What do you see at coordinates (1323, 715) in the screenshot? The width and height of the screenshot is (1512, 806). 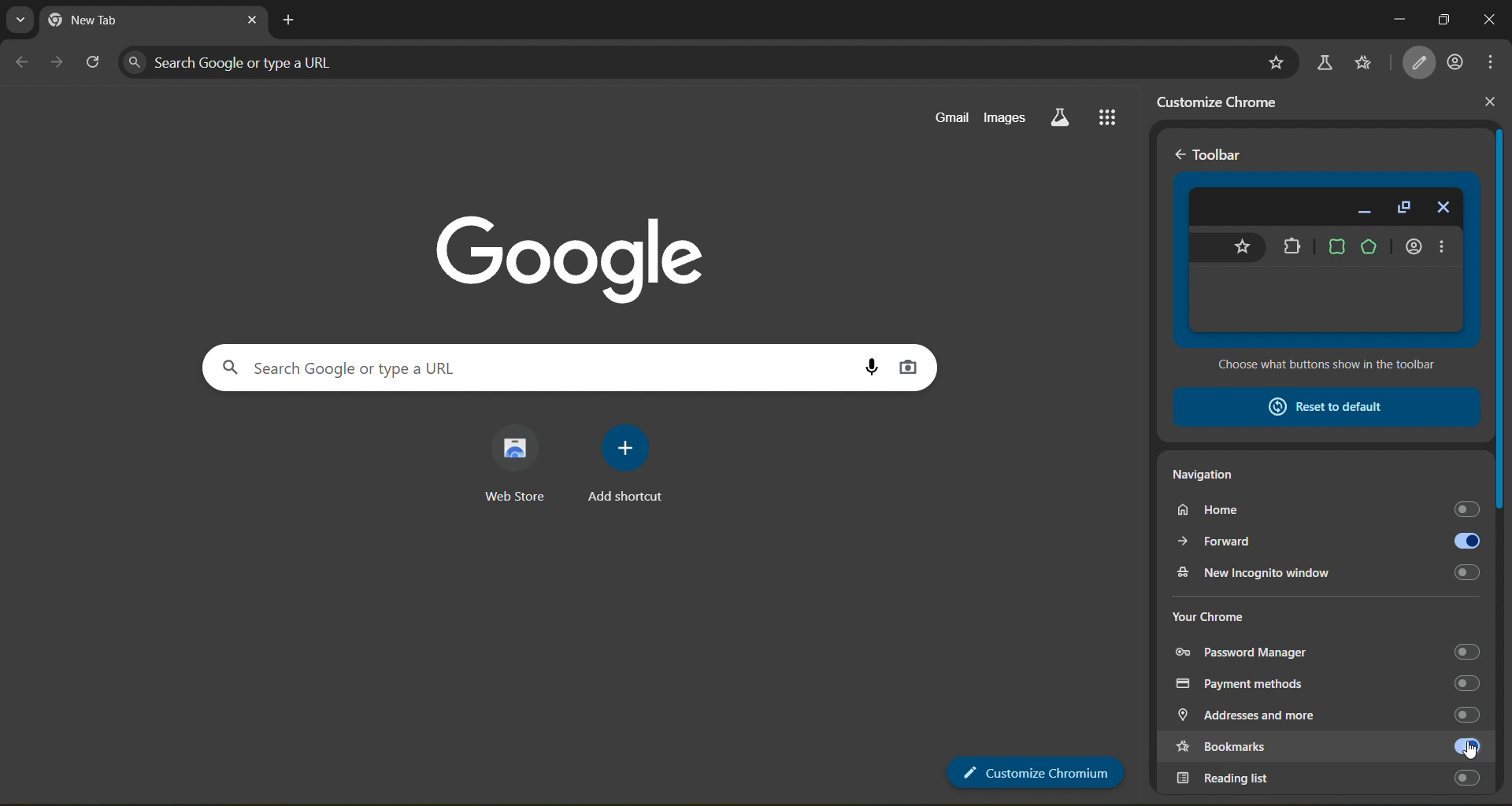 I see `addresses and more` at bounding box center [1323, 715].